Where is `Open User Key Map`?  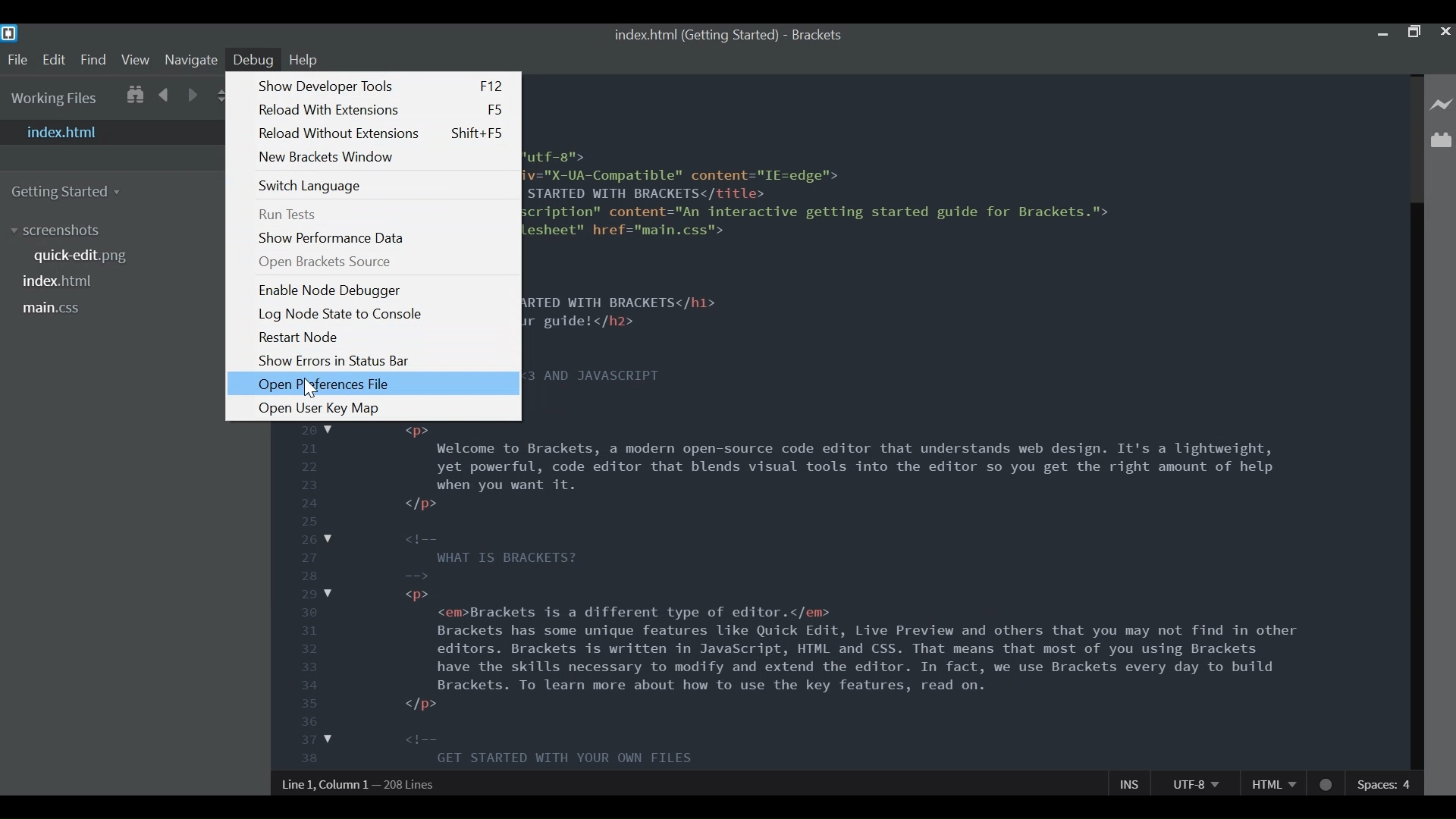 Open User Key Map is located at coordinates (320, 410).